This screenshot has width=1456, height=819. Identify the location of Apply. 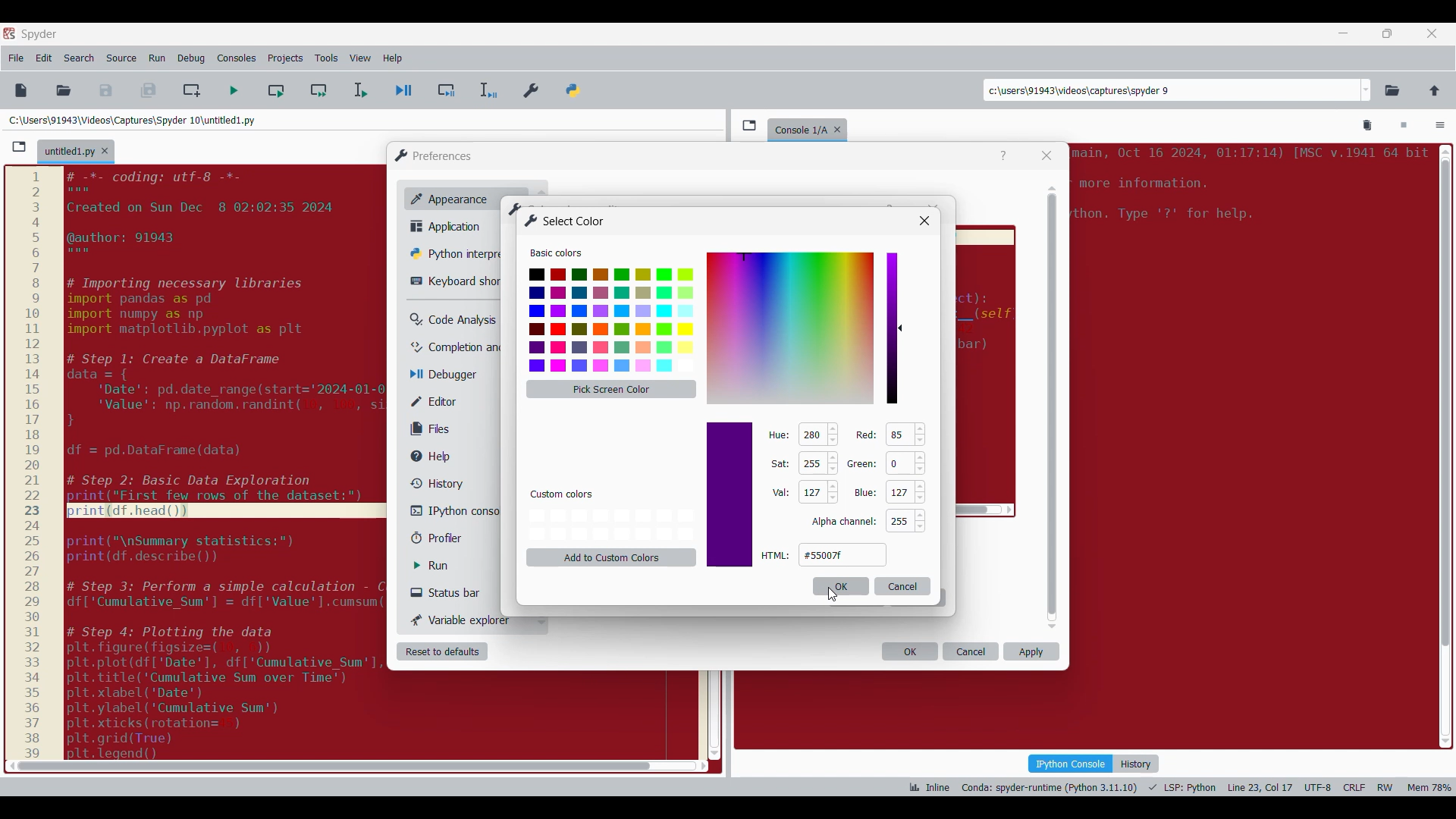
(1031, 651).